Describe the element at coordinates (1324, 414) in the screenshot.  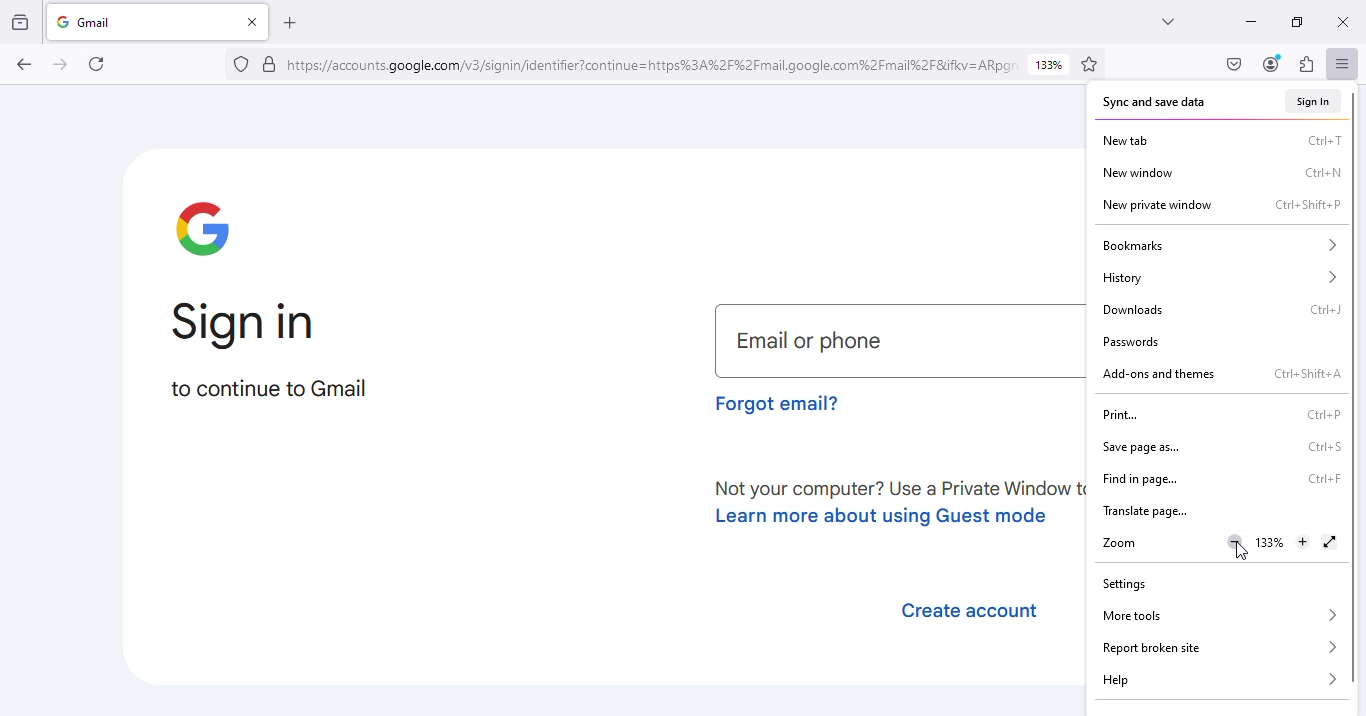
I see `shortcut for print` at that location.